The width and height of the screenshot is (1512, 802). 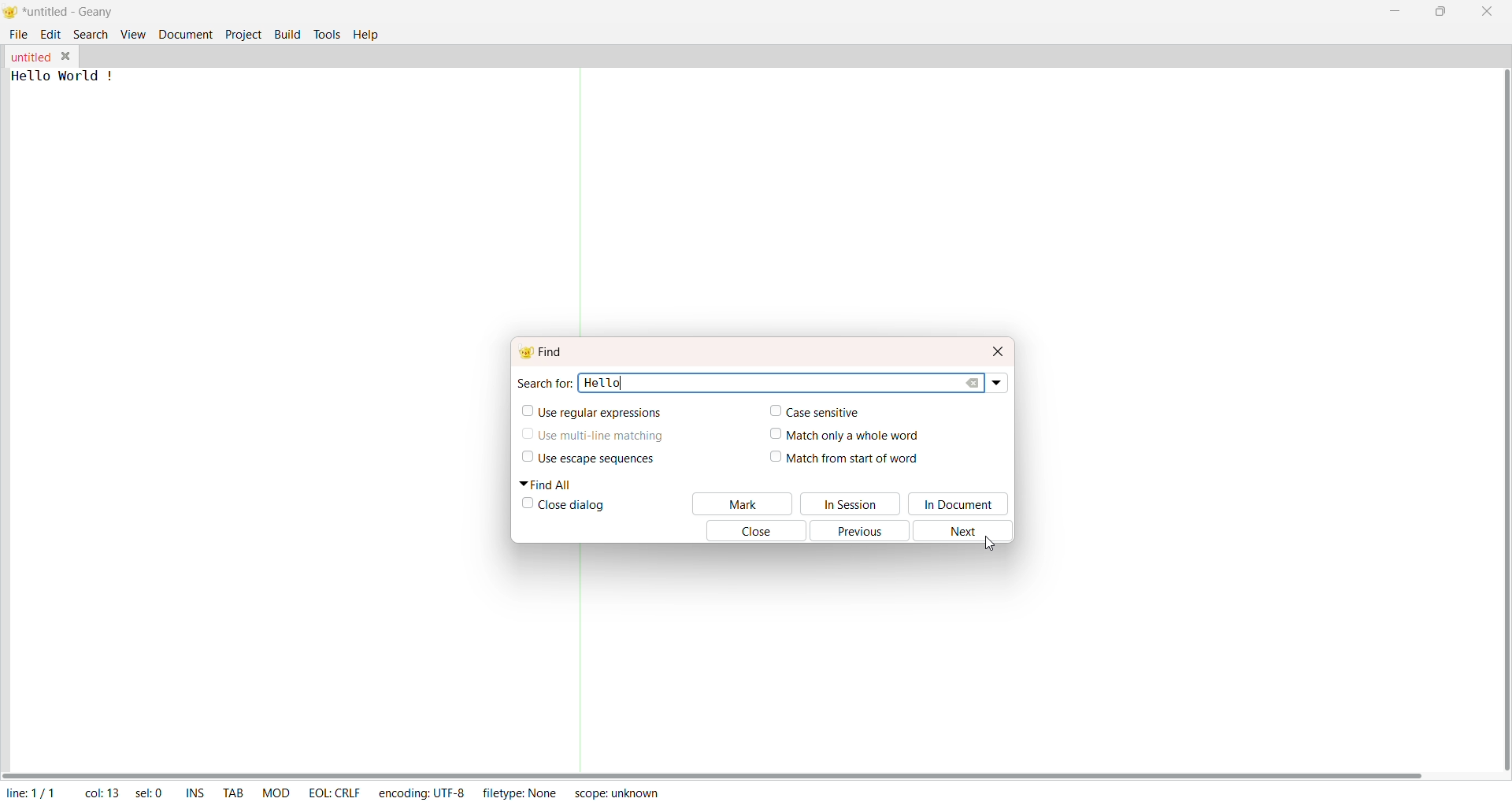 I want to click on Filtertype, so click(x=524, y=794).